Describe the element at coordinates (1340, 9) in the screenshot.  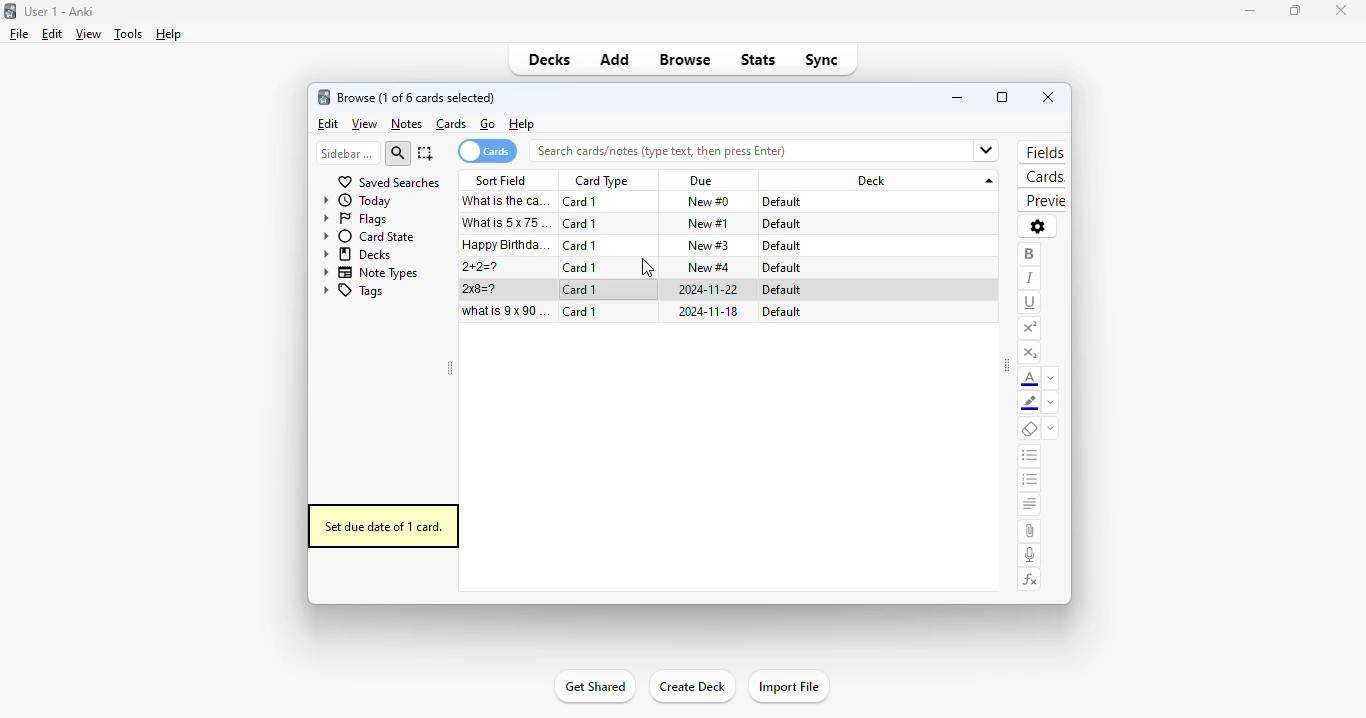
I see `close` at that location.